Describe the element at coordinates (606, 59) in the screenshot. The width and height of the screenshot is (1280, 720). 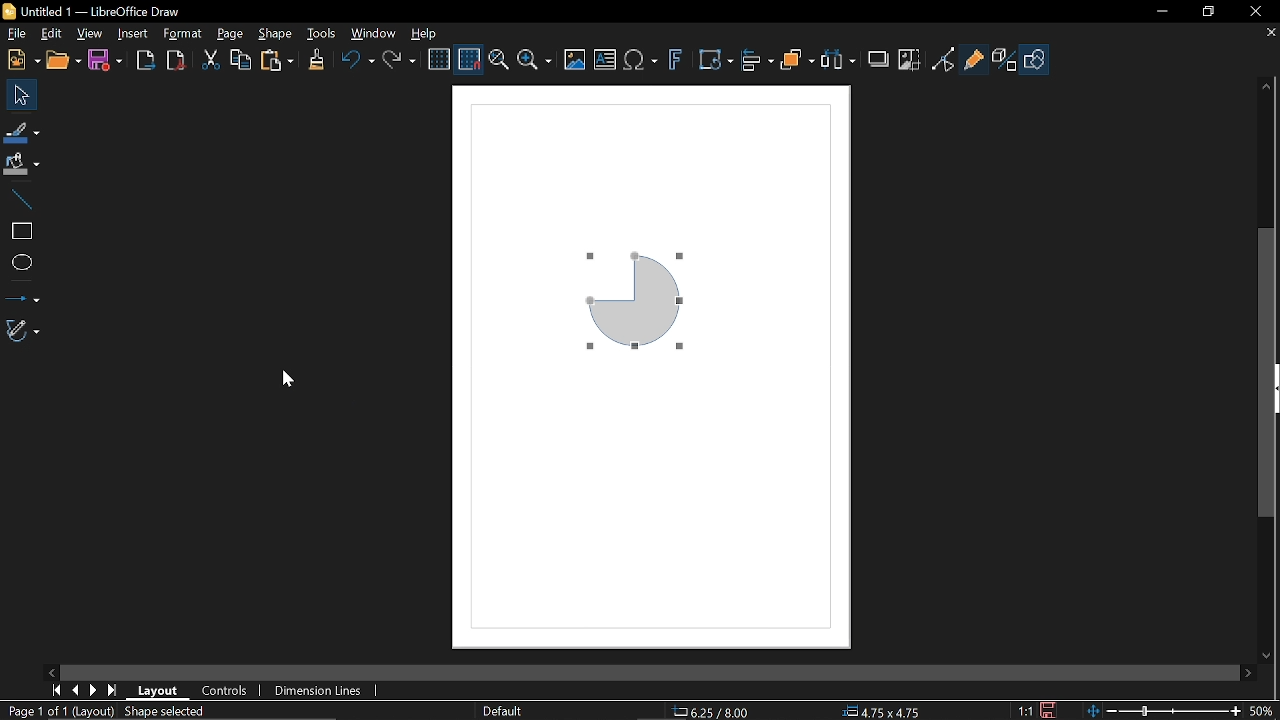
I see `insert text` at that location.